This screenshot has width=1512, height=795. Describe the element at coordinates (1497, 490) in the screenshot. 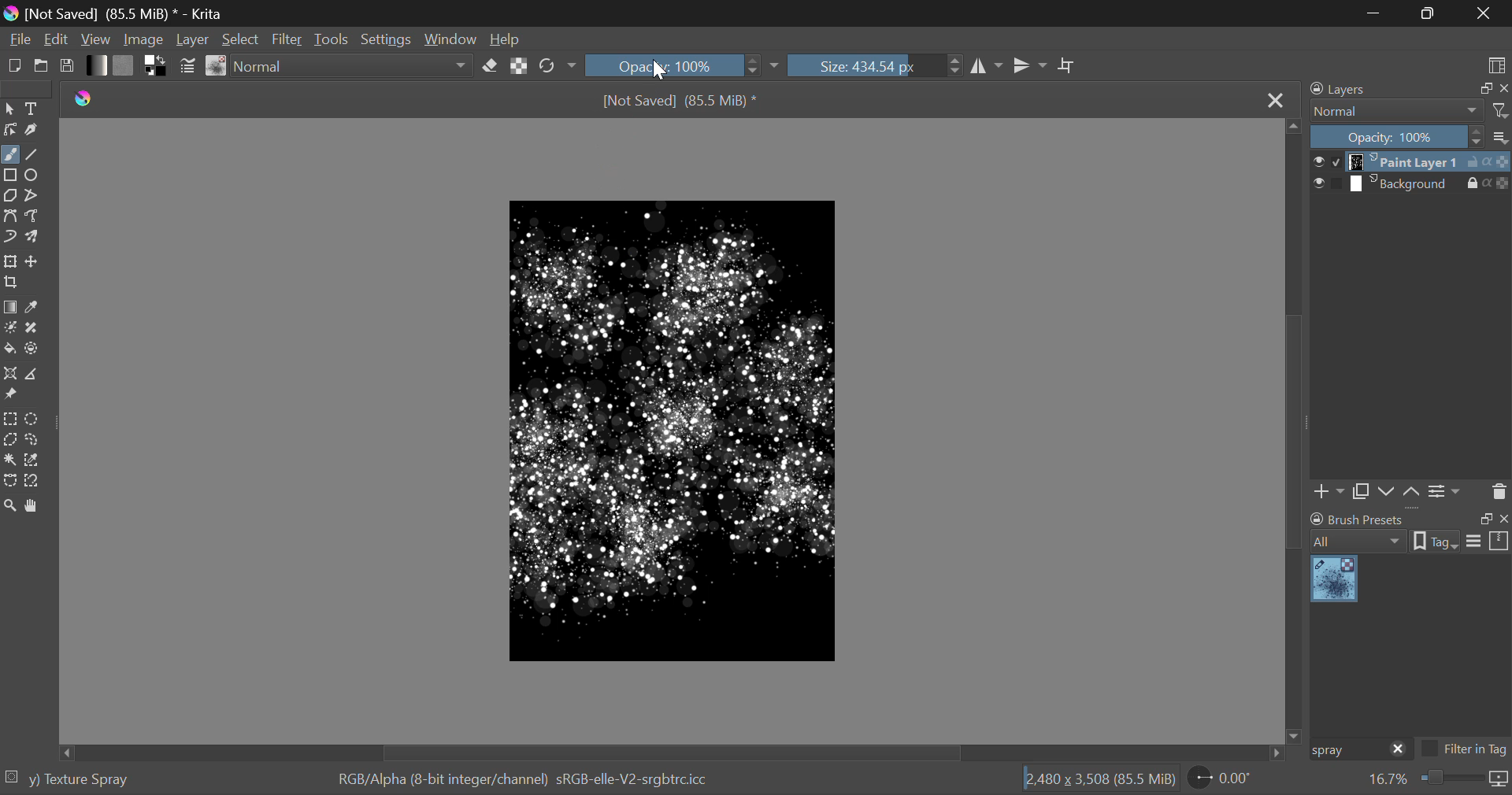

I see `Delete Layer` at that location.